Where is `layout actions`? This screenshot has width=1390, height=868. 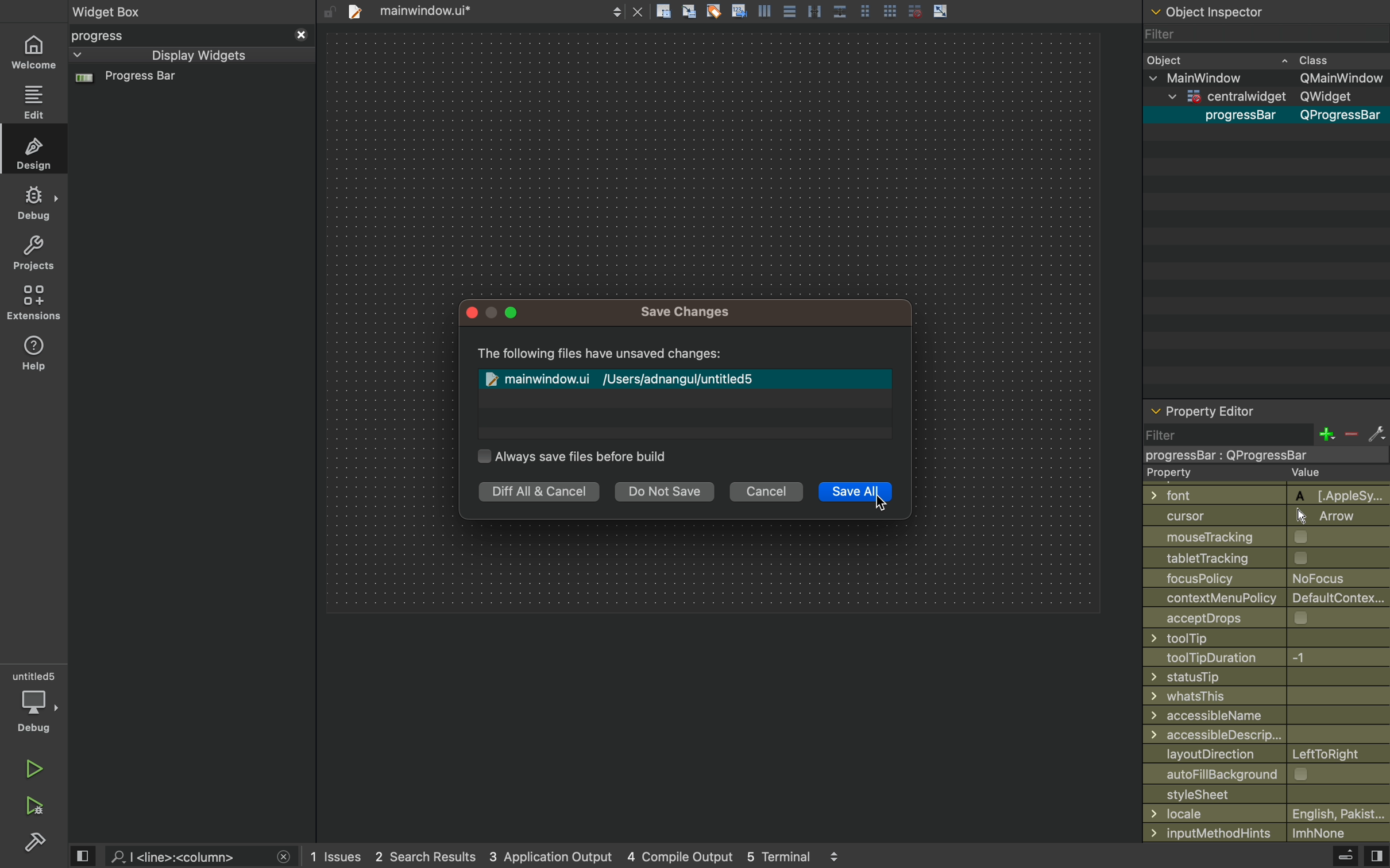 layout actions is located at coordinates (856, 11).